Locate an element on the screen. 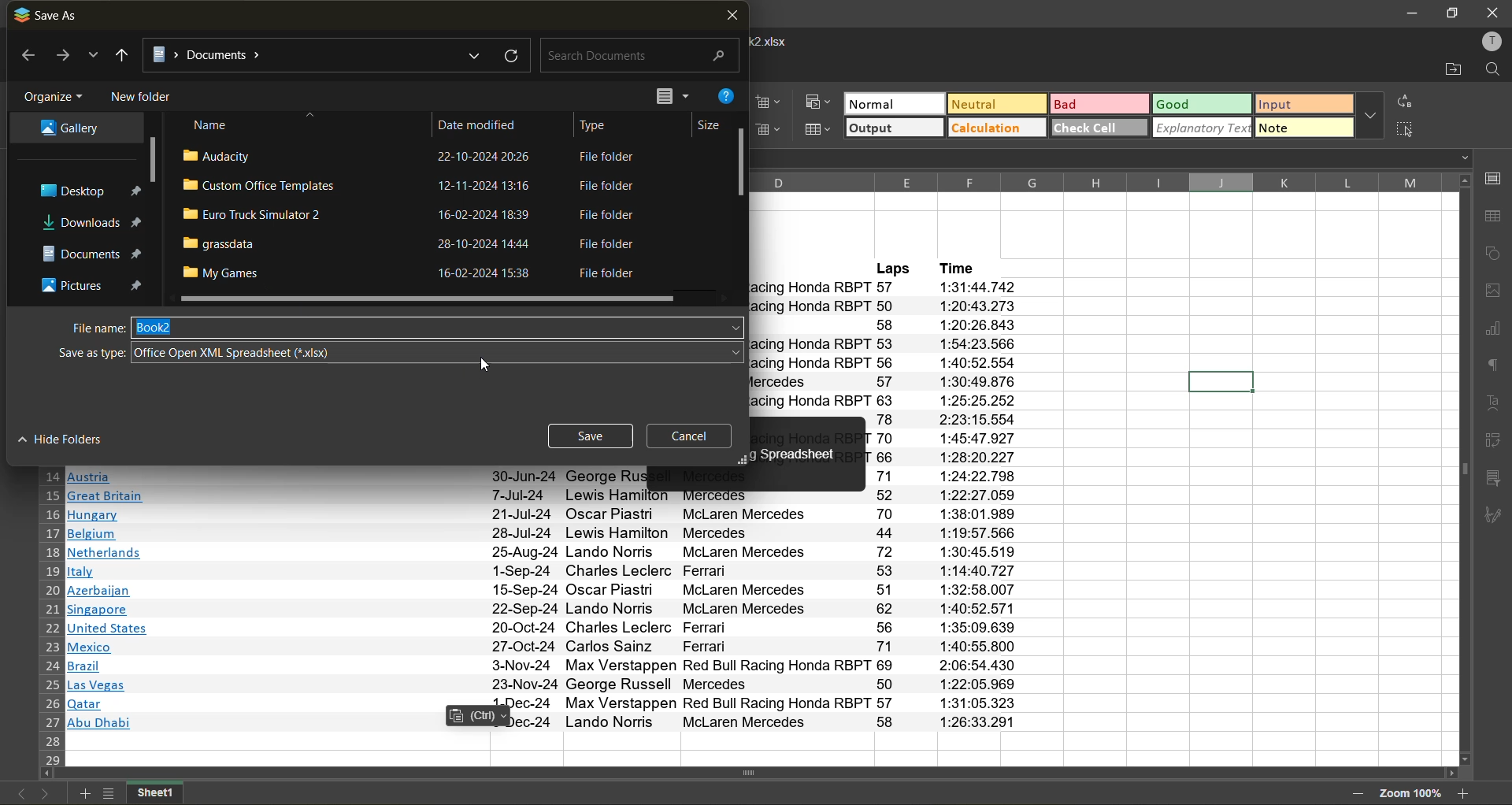 Image resolution: width=1512 pixels, height=805 pixels. profile is located at coordinates (1492, 39).